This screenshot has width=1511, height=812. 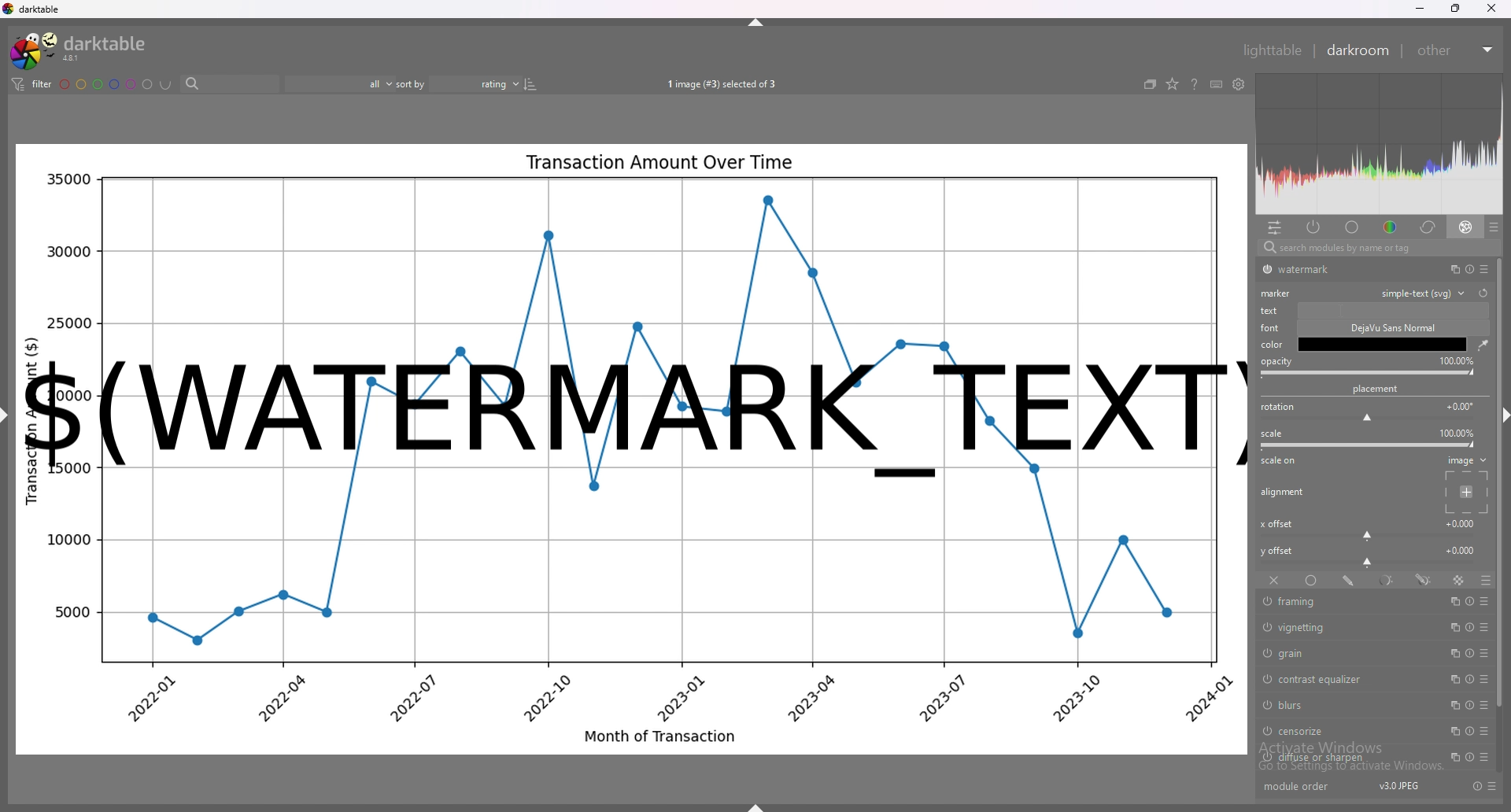 What do you see at coordinates (1461, 549) in the screenshot?
I see `y offset` at bounding box center [1461, 549].